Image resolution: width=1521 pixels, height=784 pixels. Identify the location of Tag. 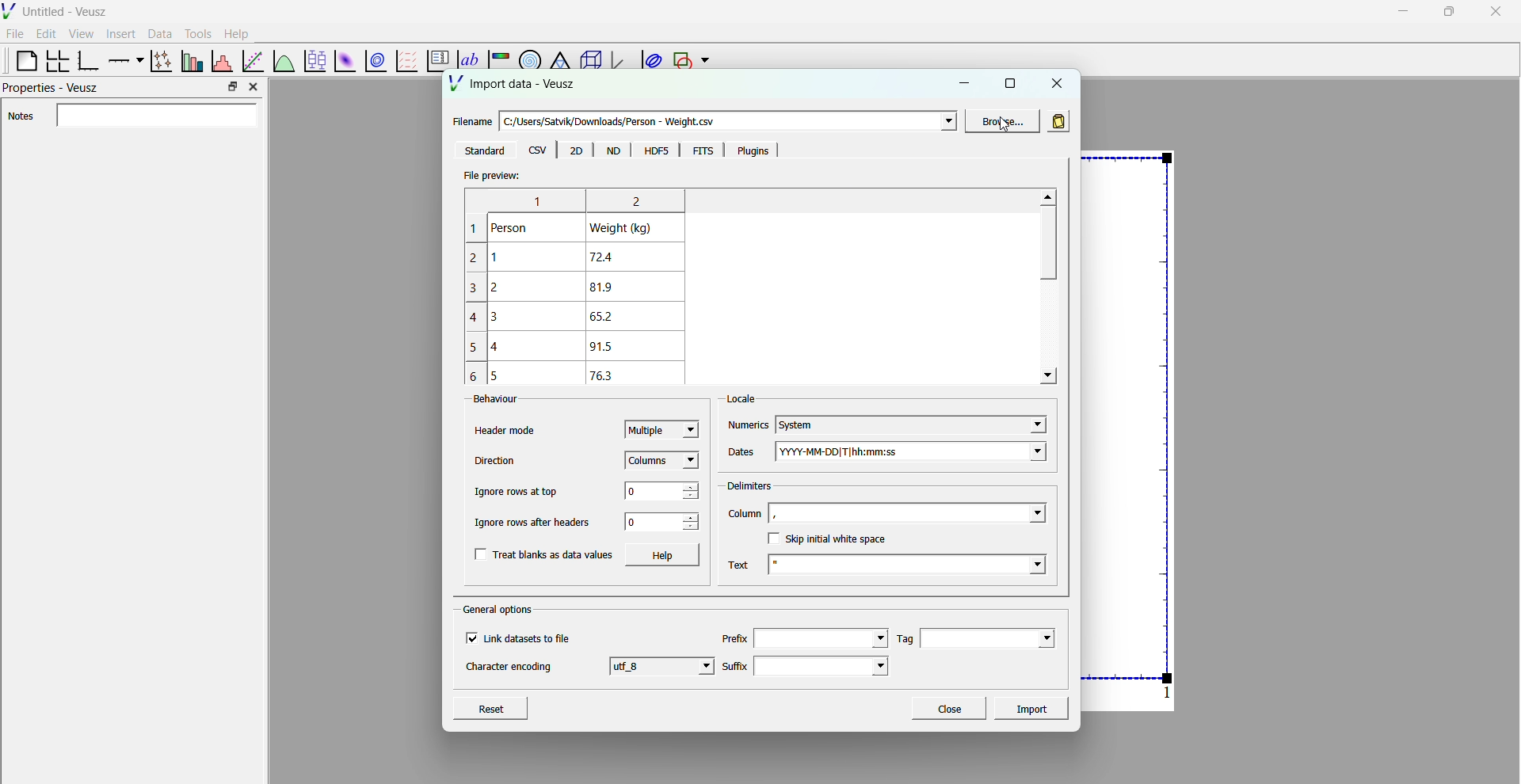
(904, 638).